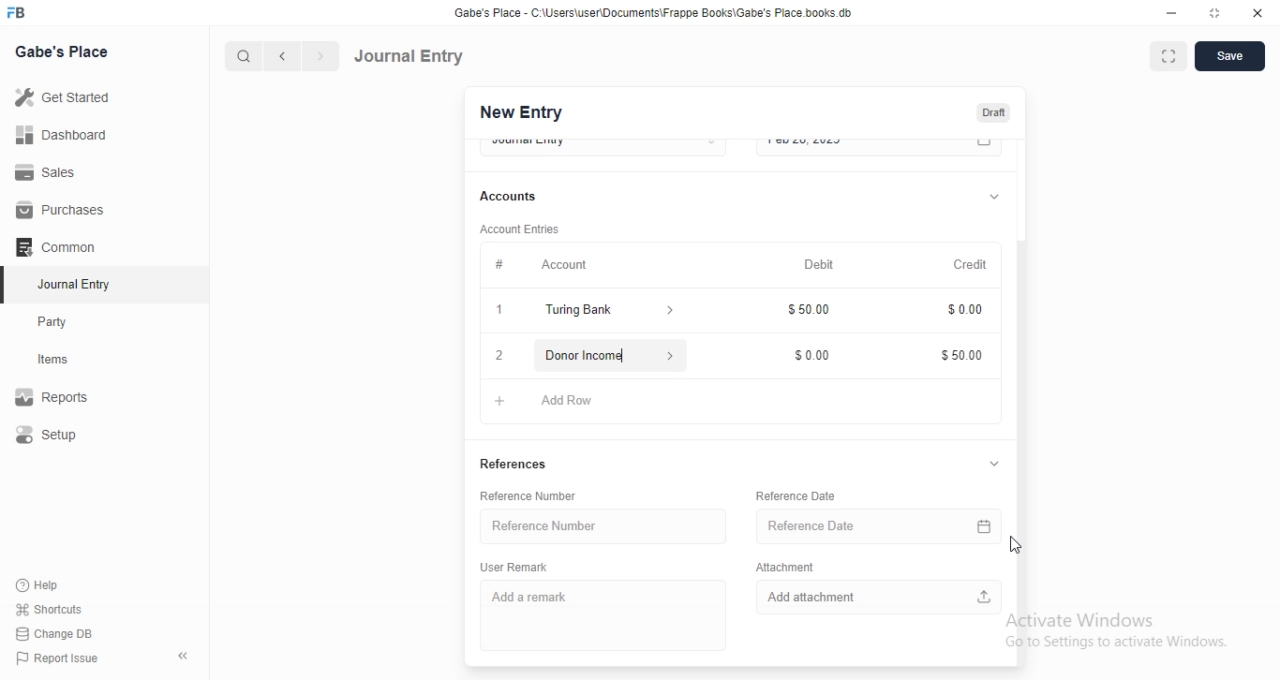  I want to click on Reference Number, so click(597, 525).